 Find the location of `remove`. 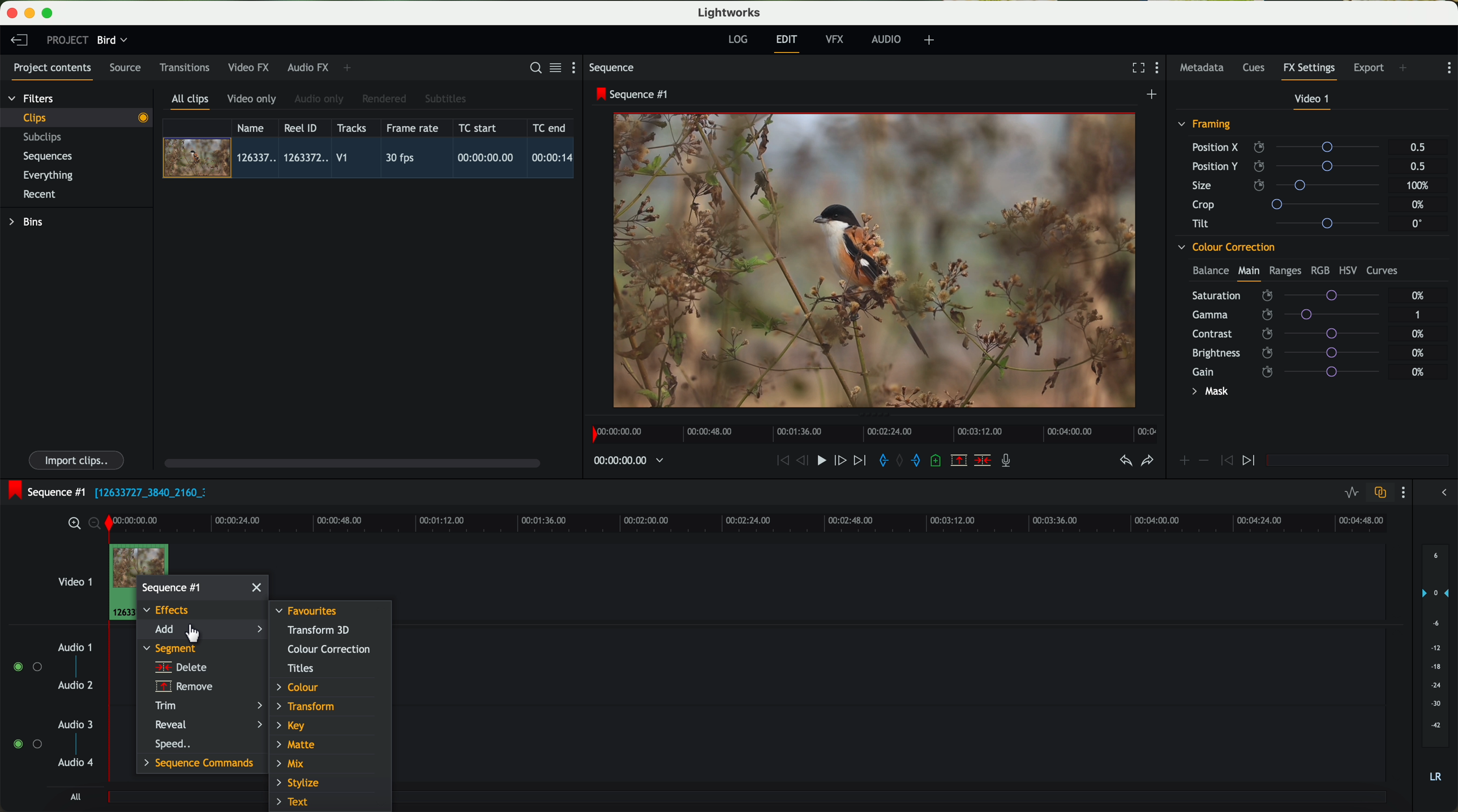

remove is located at coordinates (185, 686).